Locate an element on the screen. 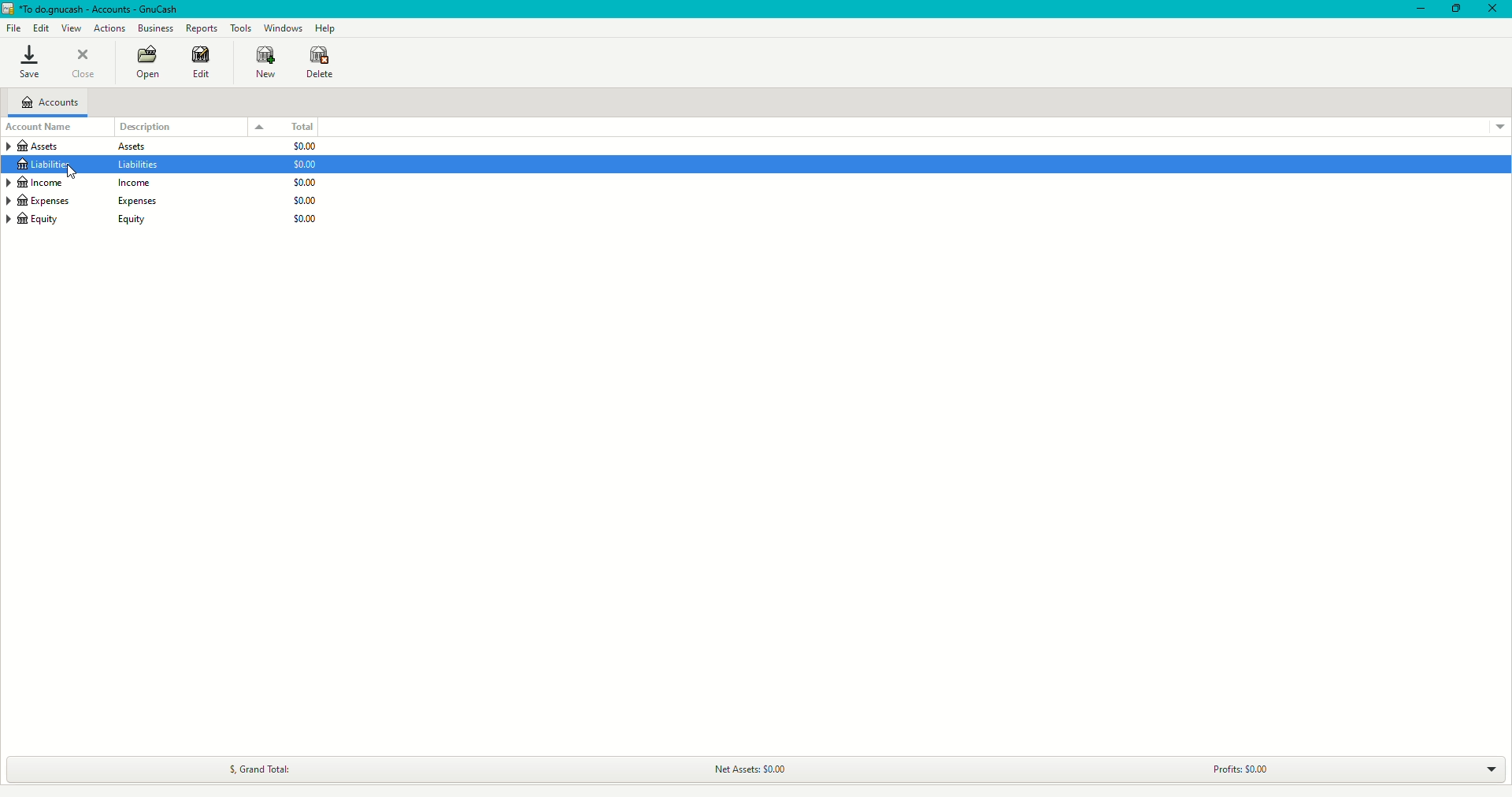  Total is located at coordinates (298, 126).